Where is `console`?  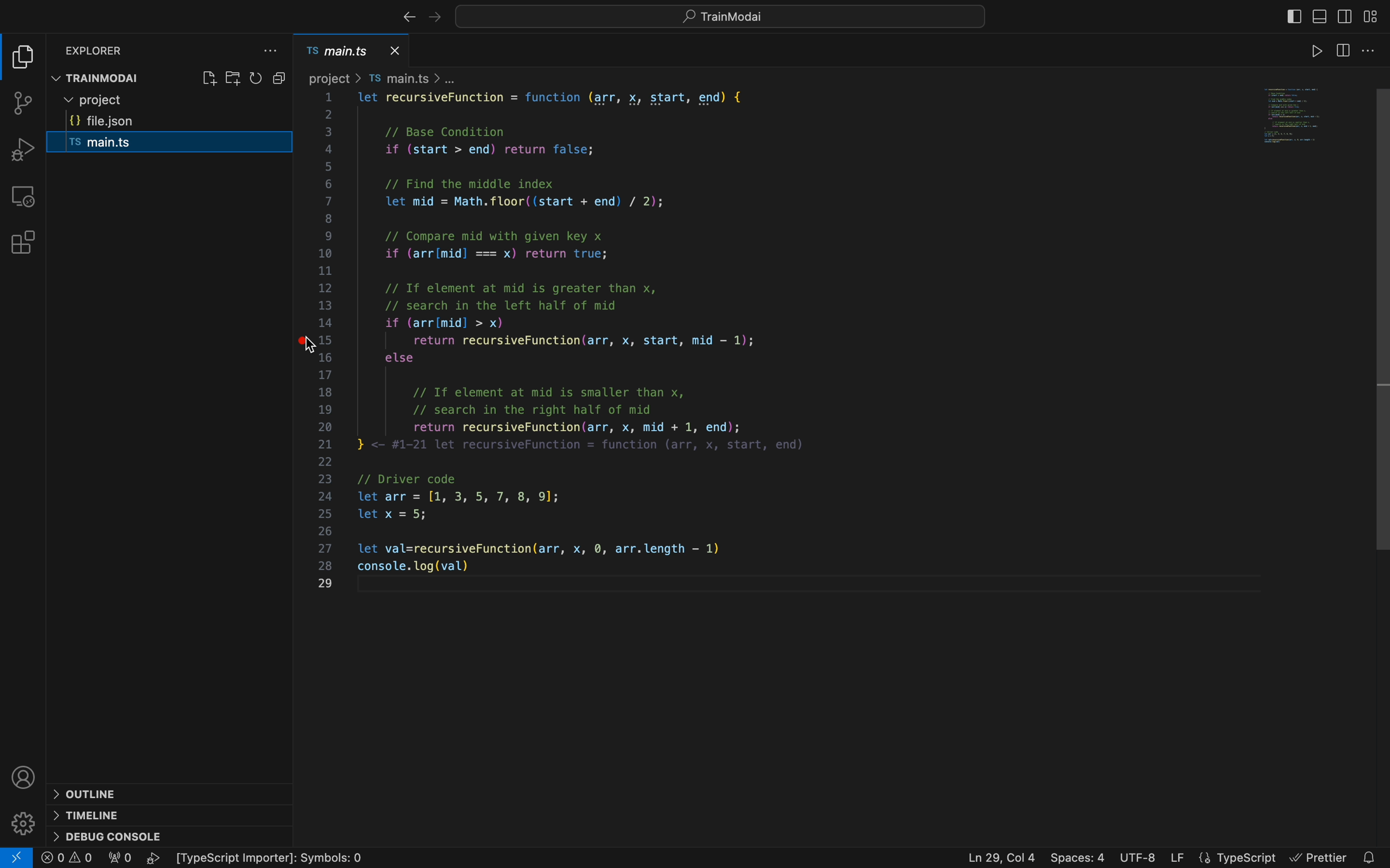
console is located at coordinates (128, 836).